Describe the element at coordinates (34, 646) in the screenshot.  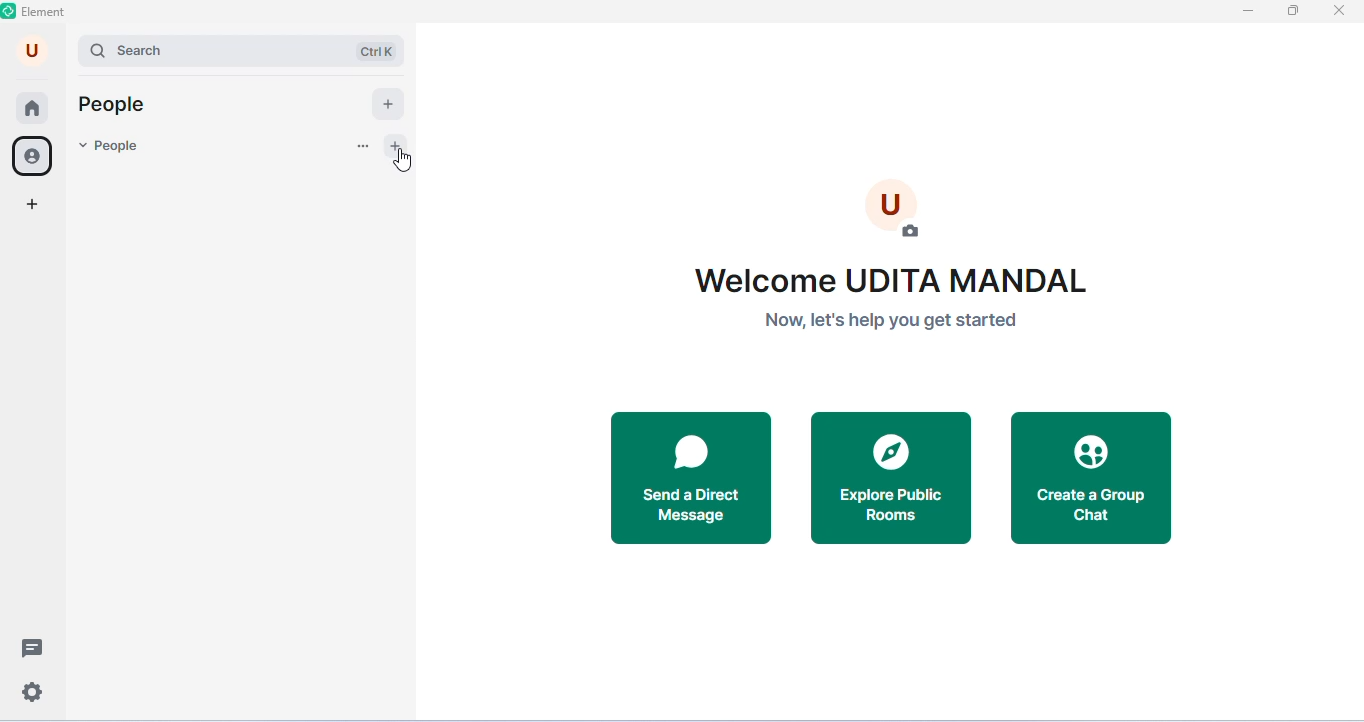
I see `threads` at that location.